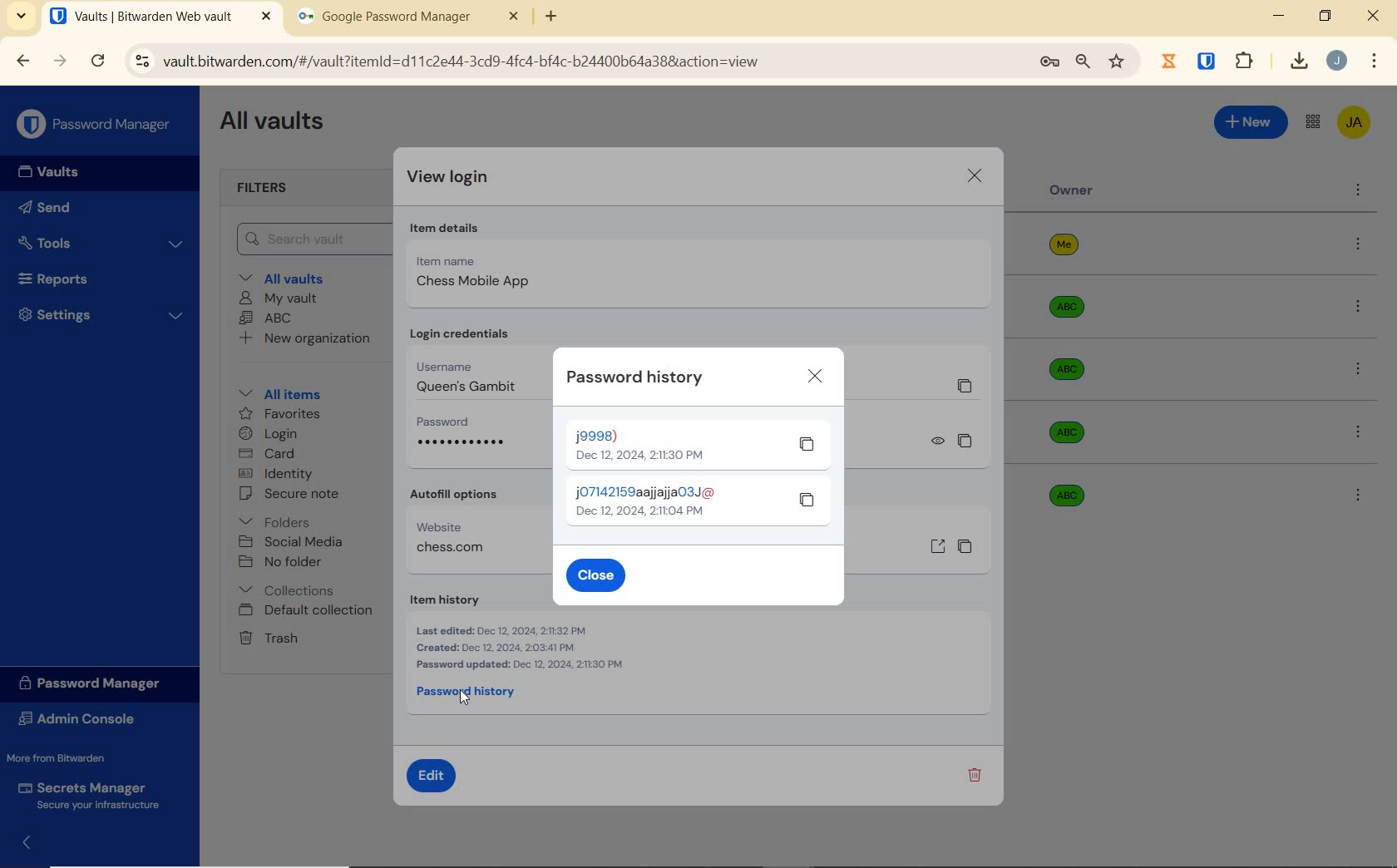 The image size is (1397, 868). I want to click on Item name, so click(457, 260).